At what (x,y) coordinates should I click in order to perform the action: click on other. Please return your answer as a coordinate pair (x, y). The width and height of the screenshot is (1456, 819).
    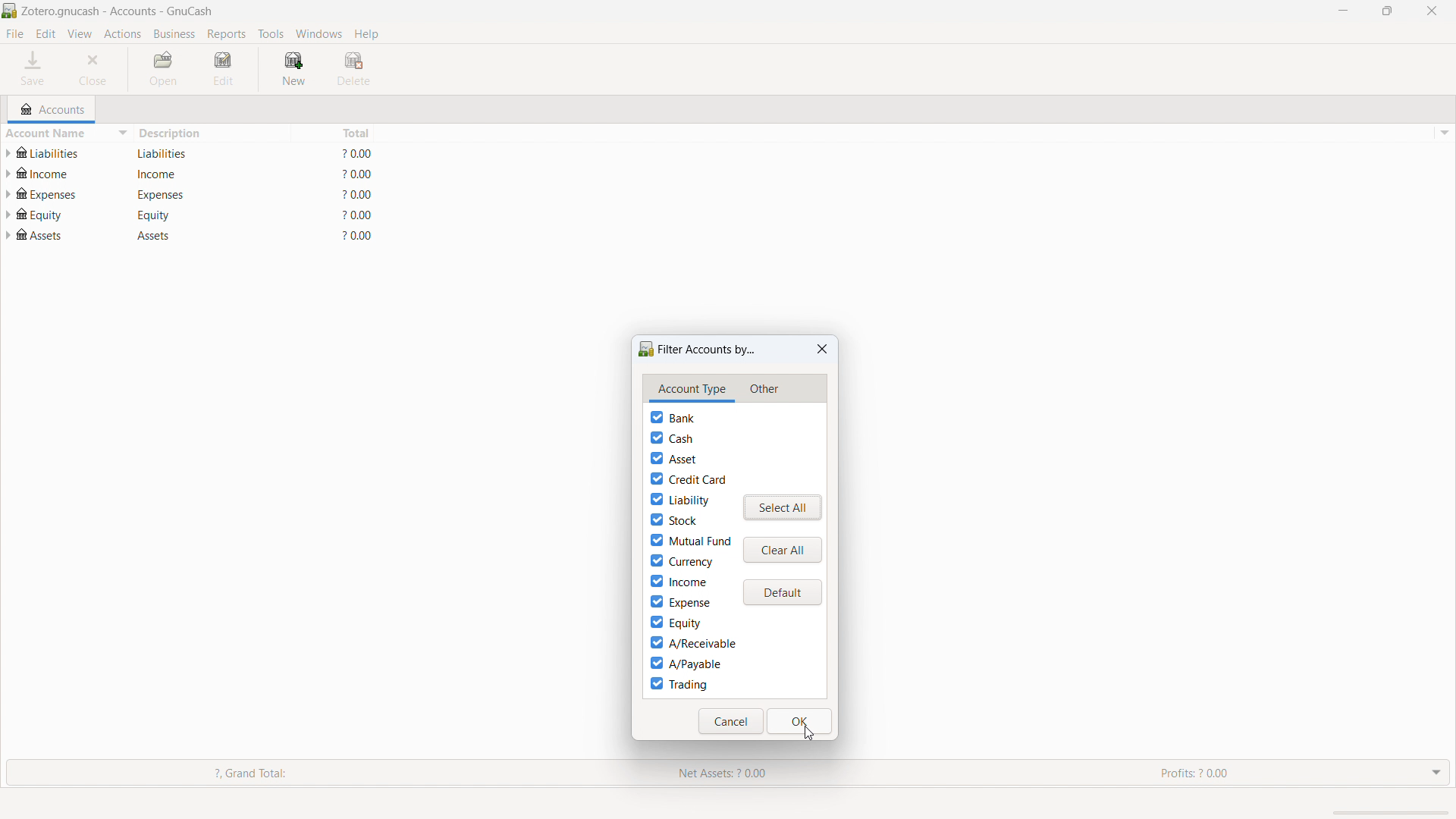
    Looking at the image, I should click on (764, 391).